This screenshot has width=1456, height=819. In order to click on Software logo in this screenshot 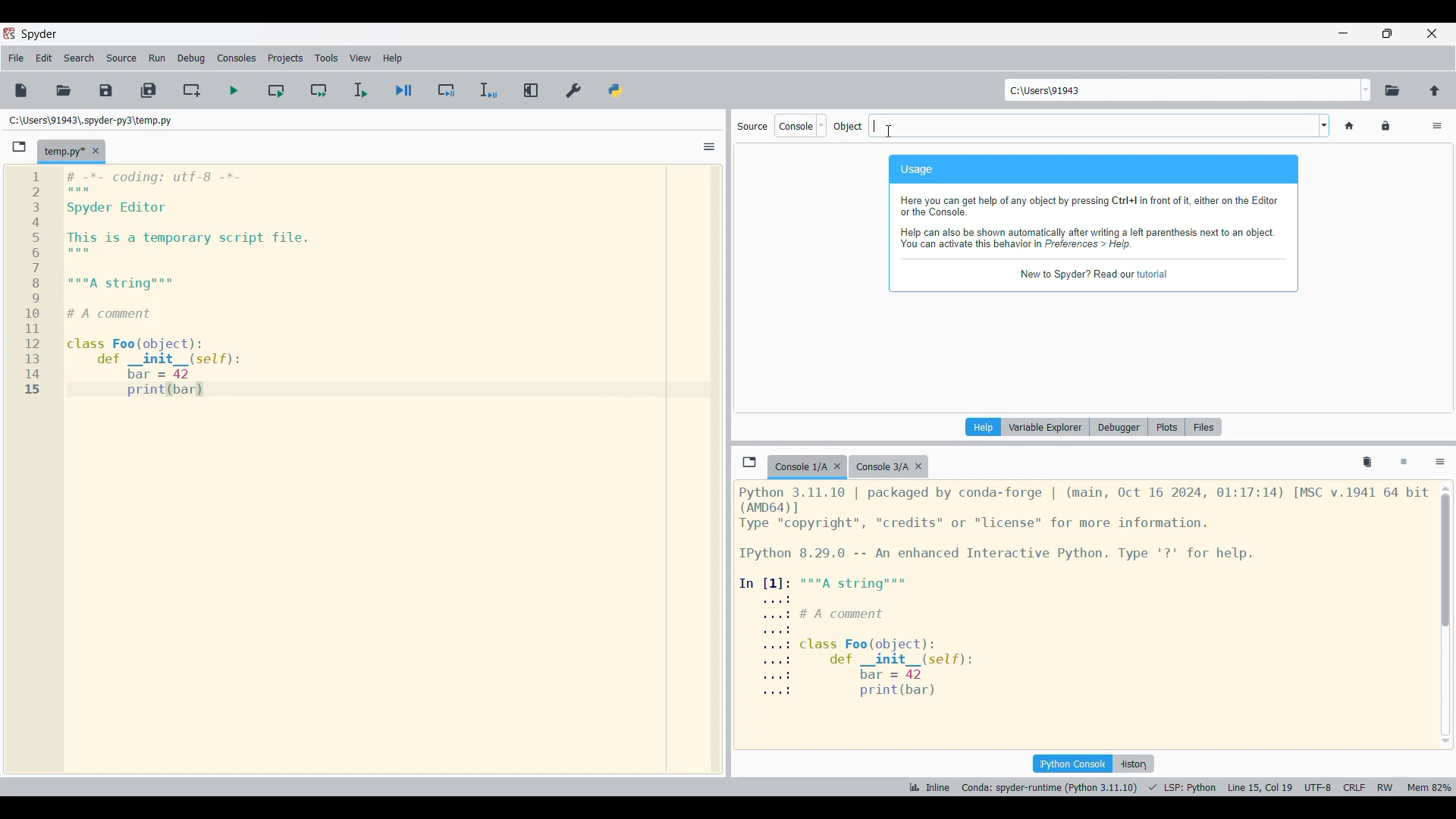, I will do `click(40, 33)`.